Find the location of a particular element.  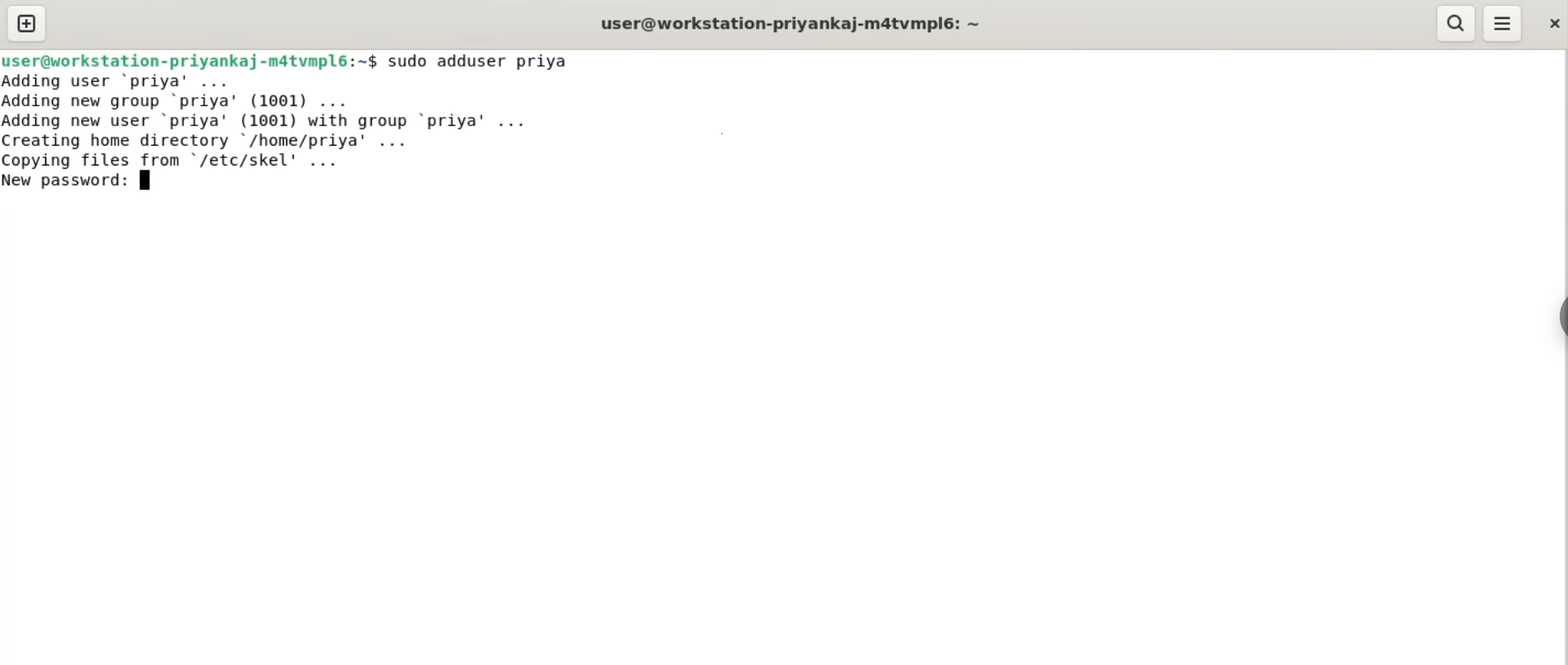

search is located at coordinates (1457, 24).